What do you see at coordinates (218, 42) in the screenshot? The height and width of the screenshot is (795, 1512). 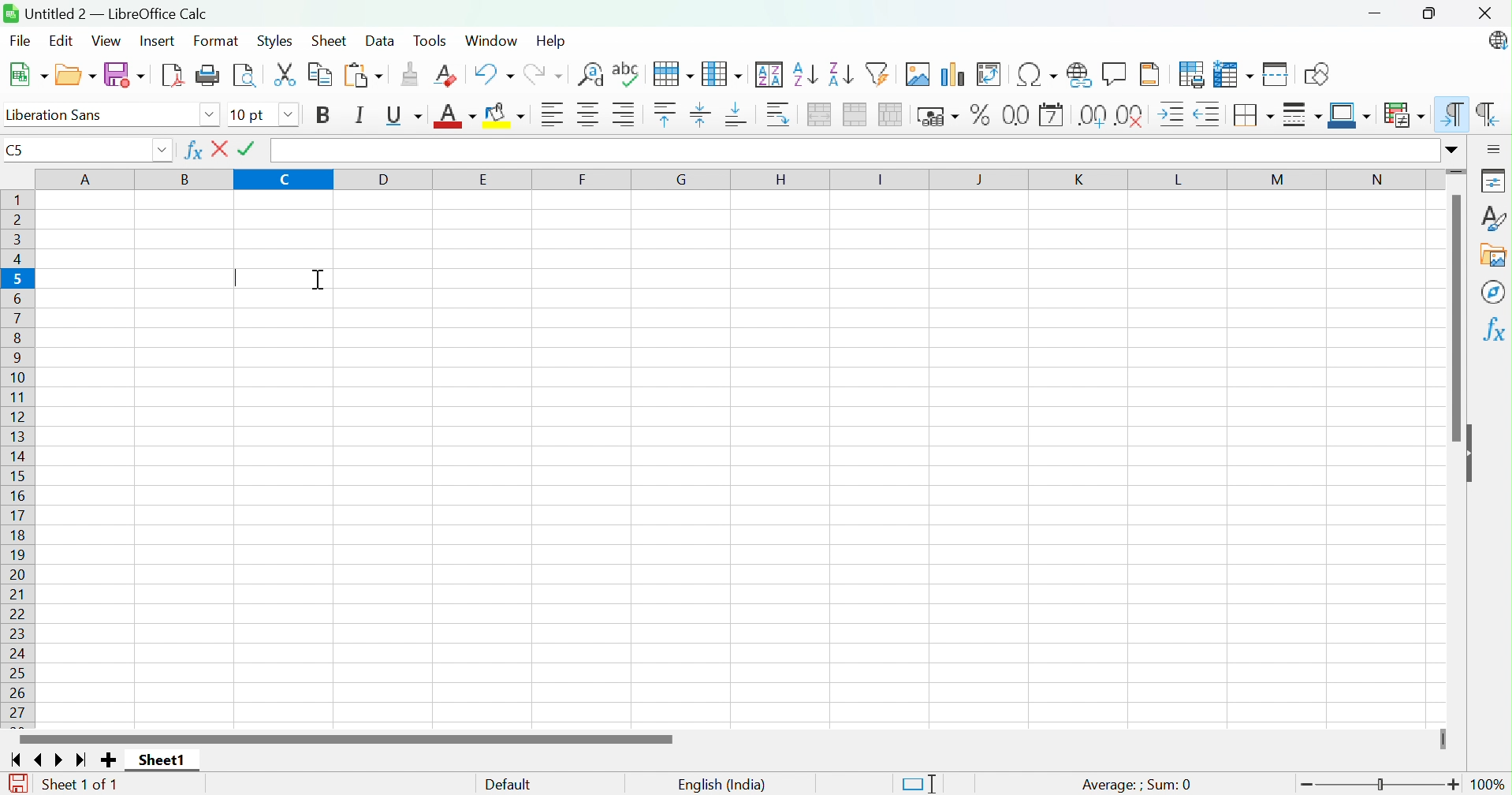 I see `Format` at bounding box center [218, 42].